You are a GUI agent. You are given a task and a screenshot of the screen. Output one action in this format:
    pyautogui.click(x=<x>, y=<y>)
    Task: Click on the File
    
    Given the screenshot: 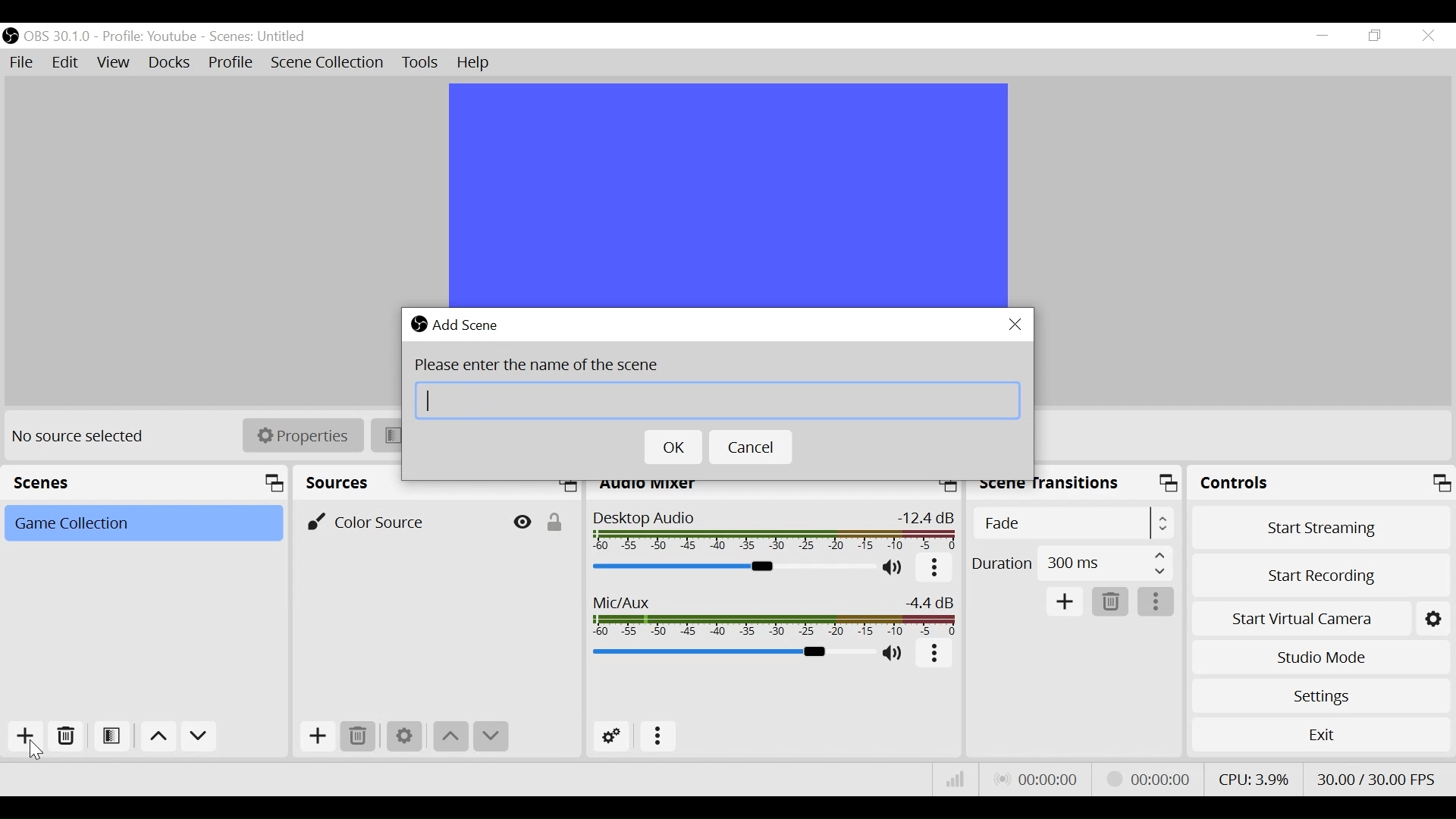 What is the action you would take?
    pyautogui.click(x=21, y=61)
    